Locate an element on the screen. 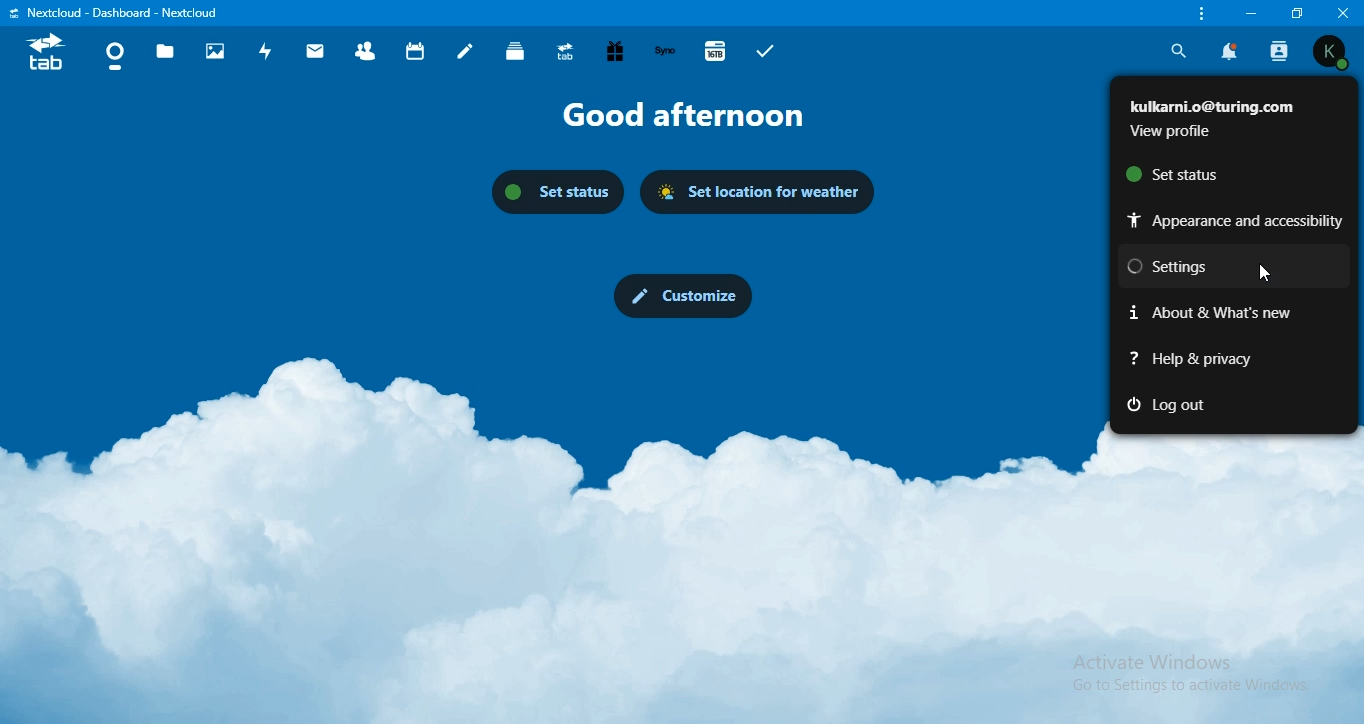  help & privacy is located at coordinates (1206, 358).